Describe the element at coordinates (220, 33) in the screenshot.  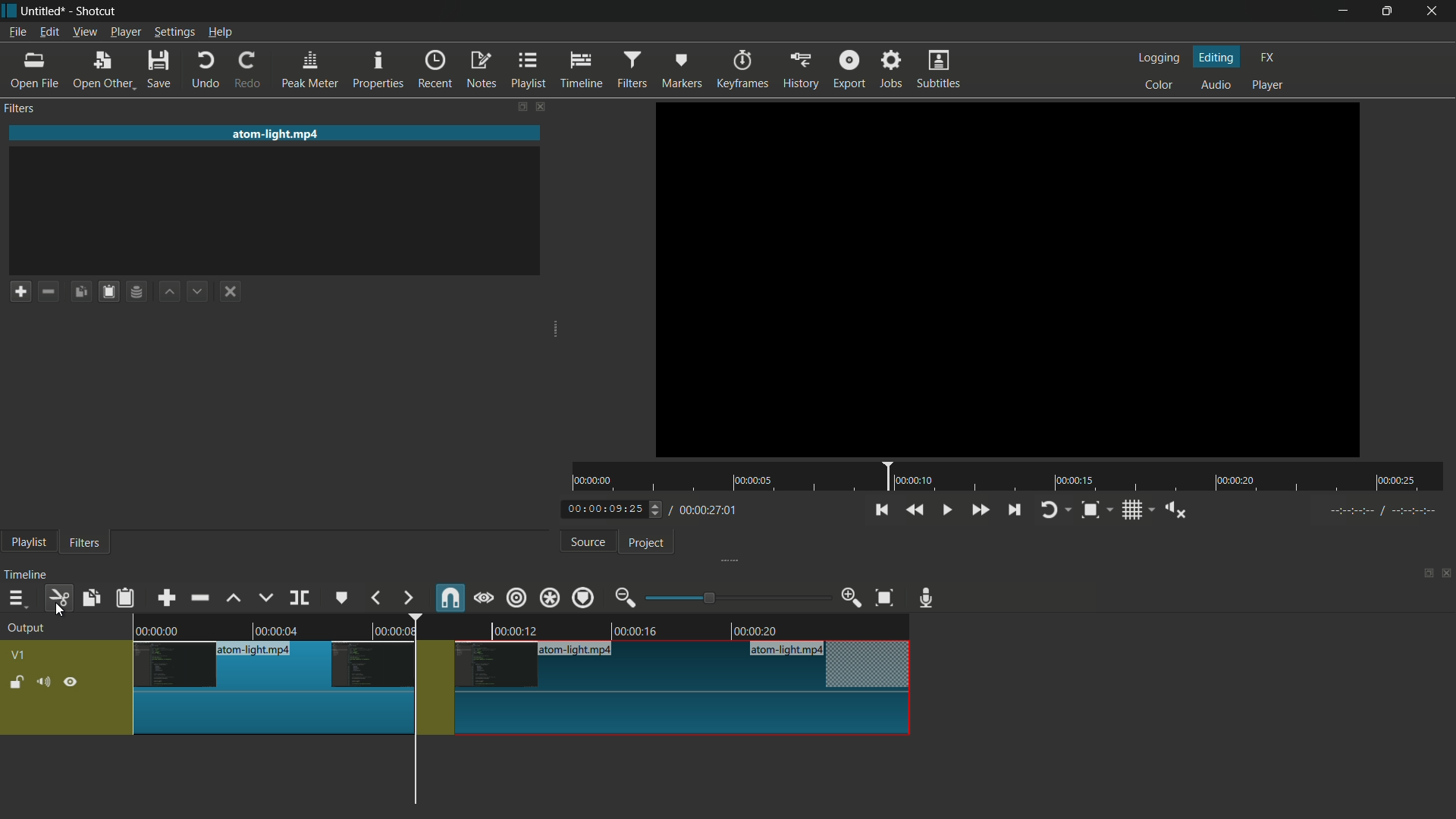
I see `help menu` at that location.